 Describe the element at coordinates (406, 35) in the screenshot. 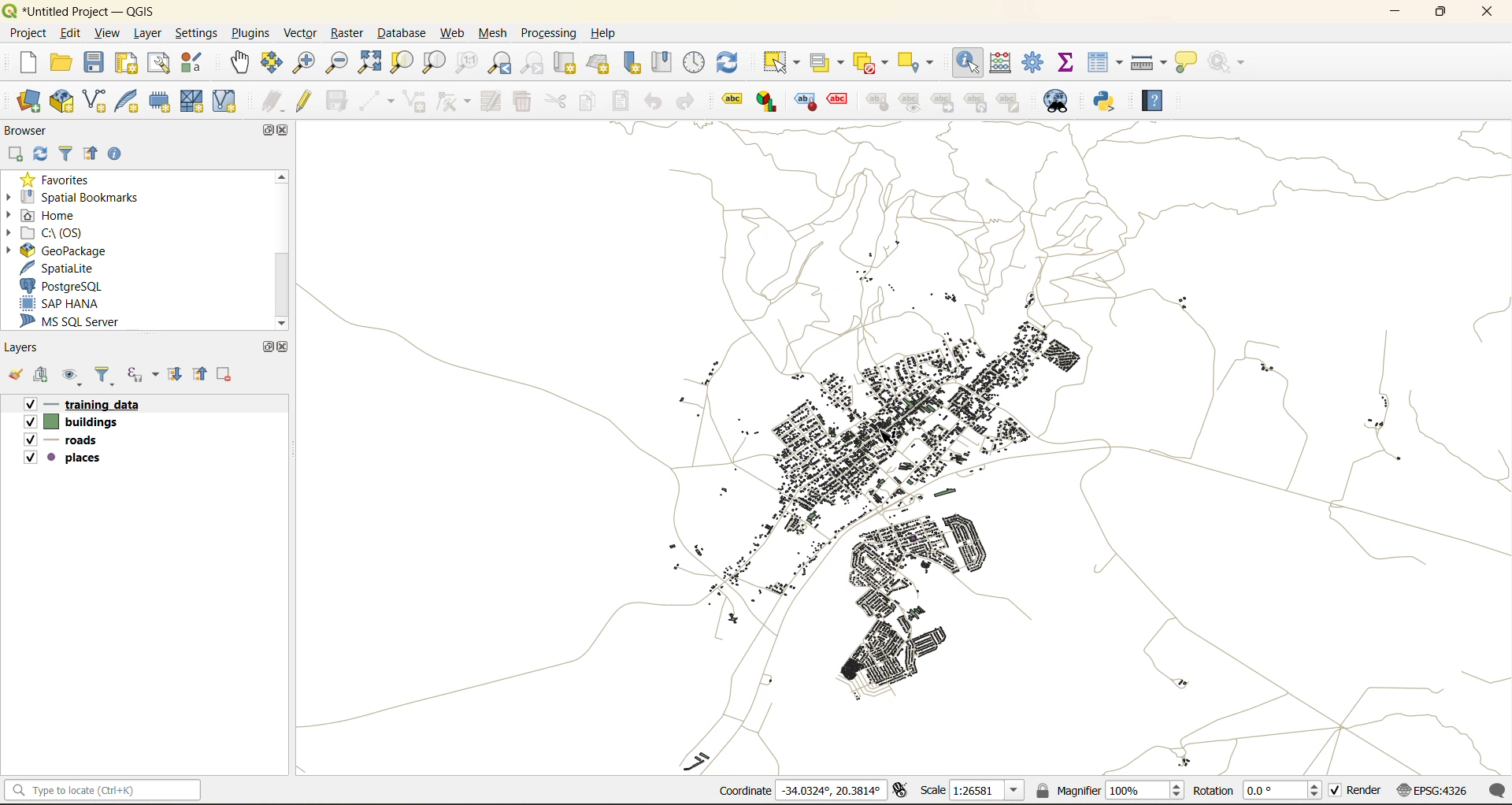

I see `database` at that location.